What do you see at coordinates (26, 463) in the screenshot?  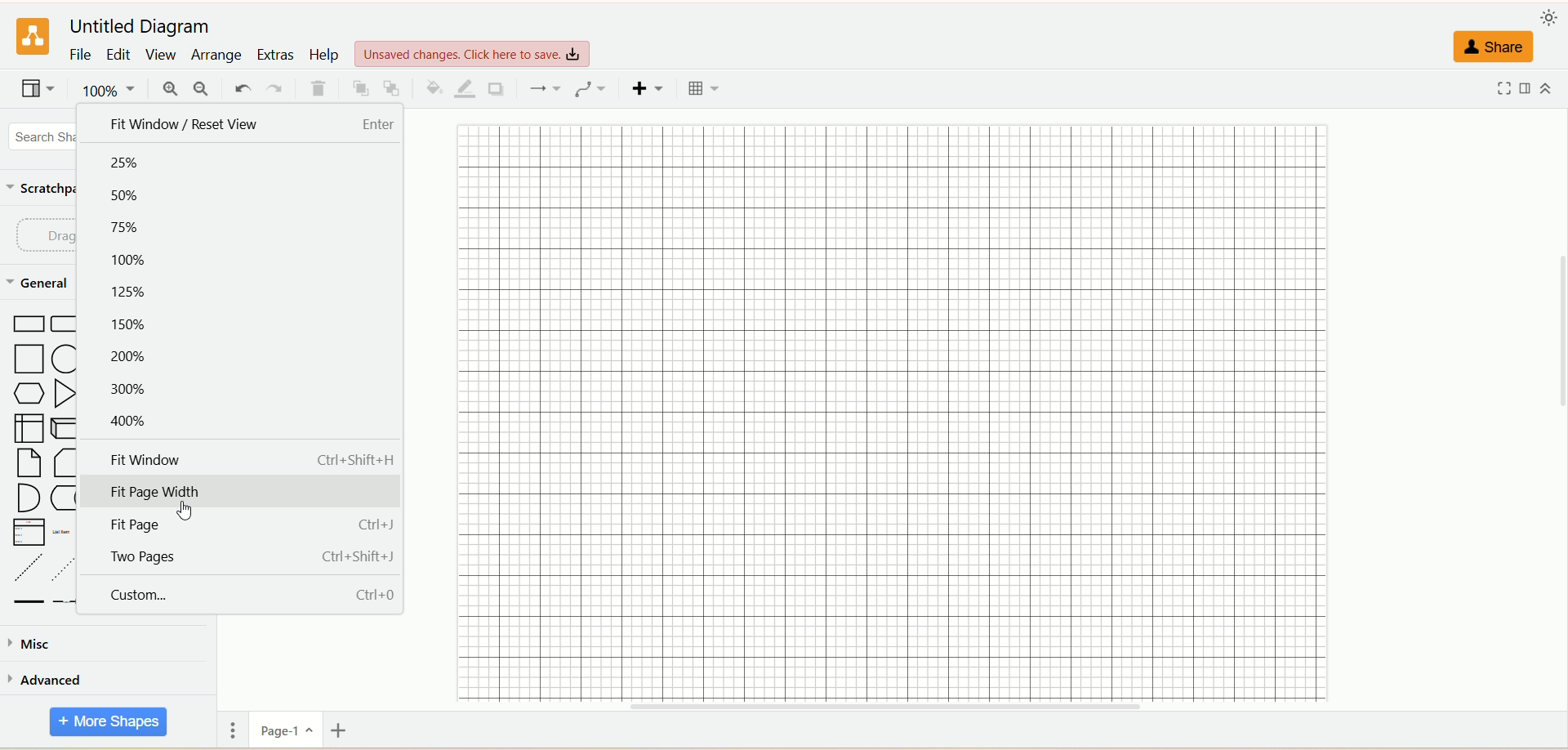 I see `note` at bounding box center [26, 463].